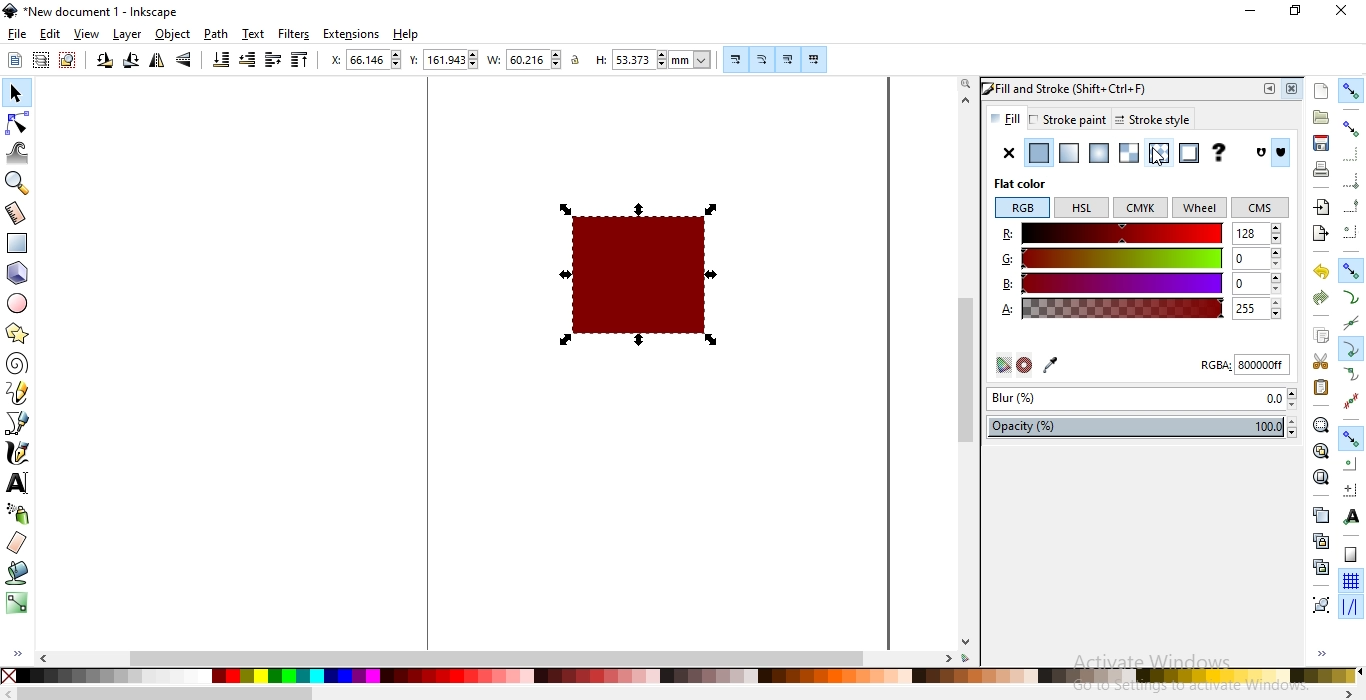 The height and width of the screenshot is (700, 1366). I want to click on 53.373, so click(636, 60).